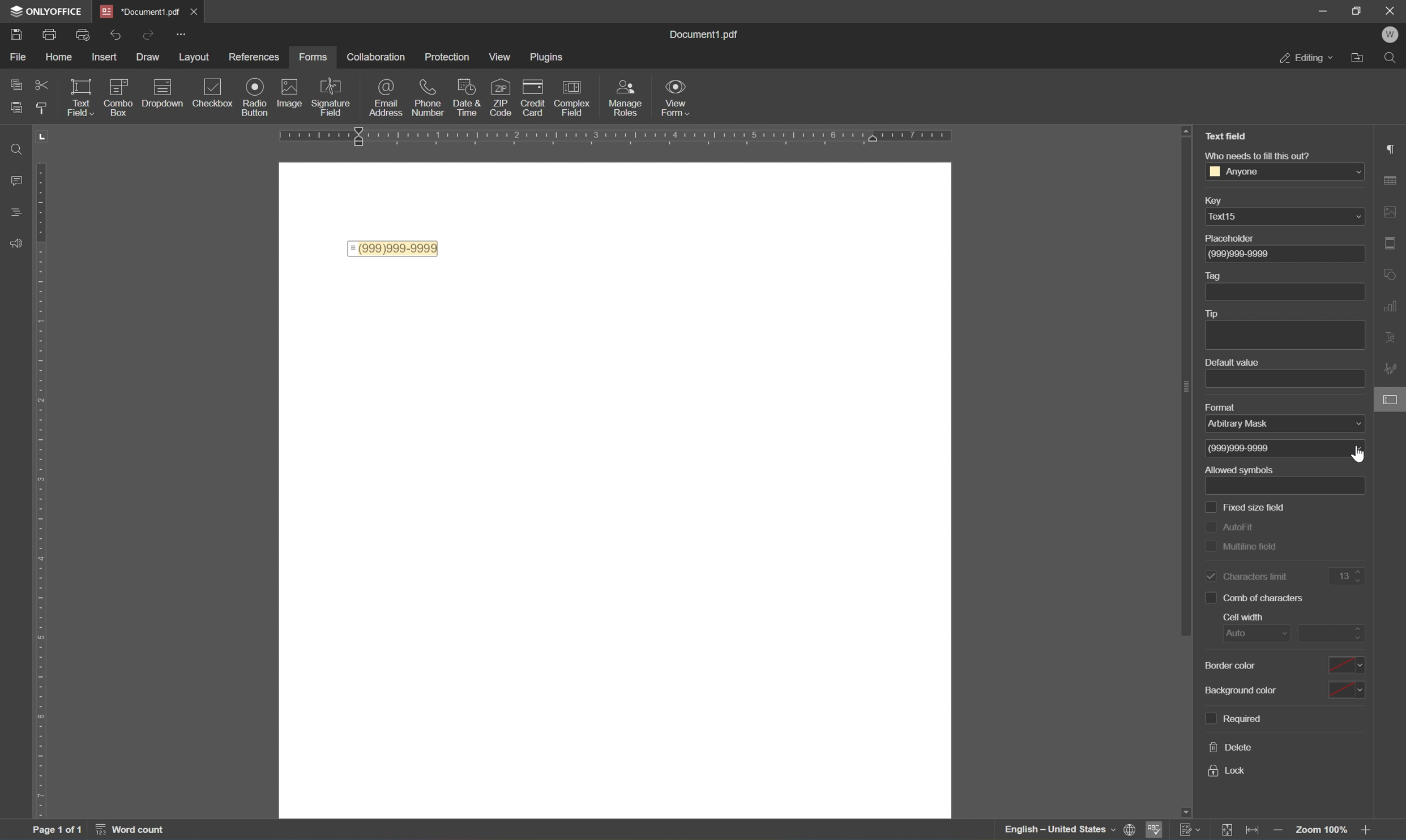 This screenshot has height=840, width=1406. What do you see at coordinates (1353, 172) in the screenshot?
I see `drop down` at bounding box center [1353, 172].